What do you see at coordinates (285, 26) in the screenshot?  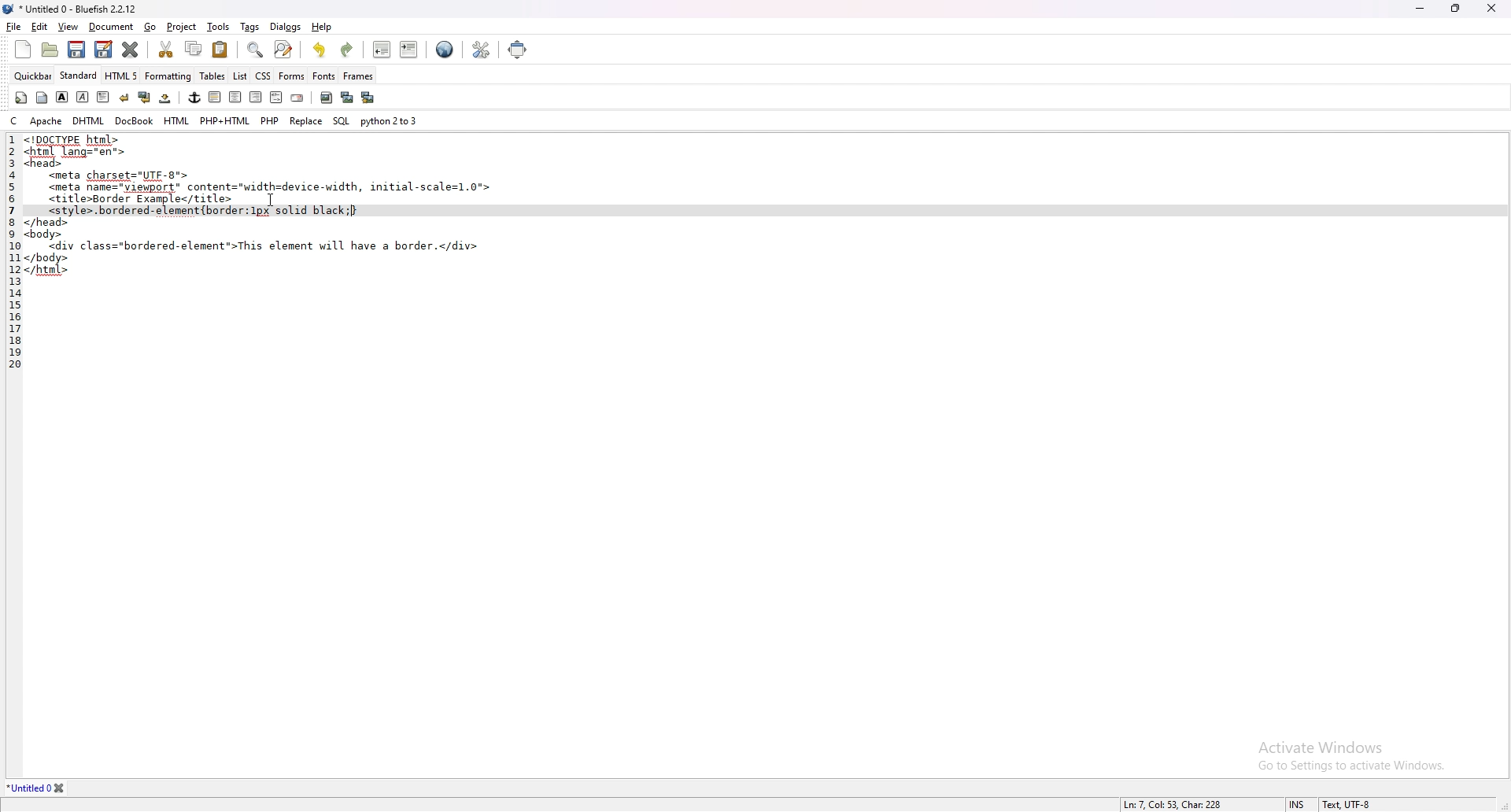 I see `dialogs` at bounding box center [285, 26].